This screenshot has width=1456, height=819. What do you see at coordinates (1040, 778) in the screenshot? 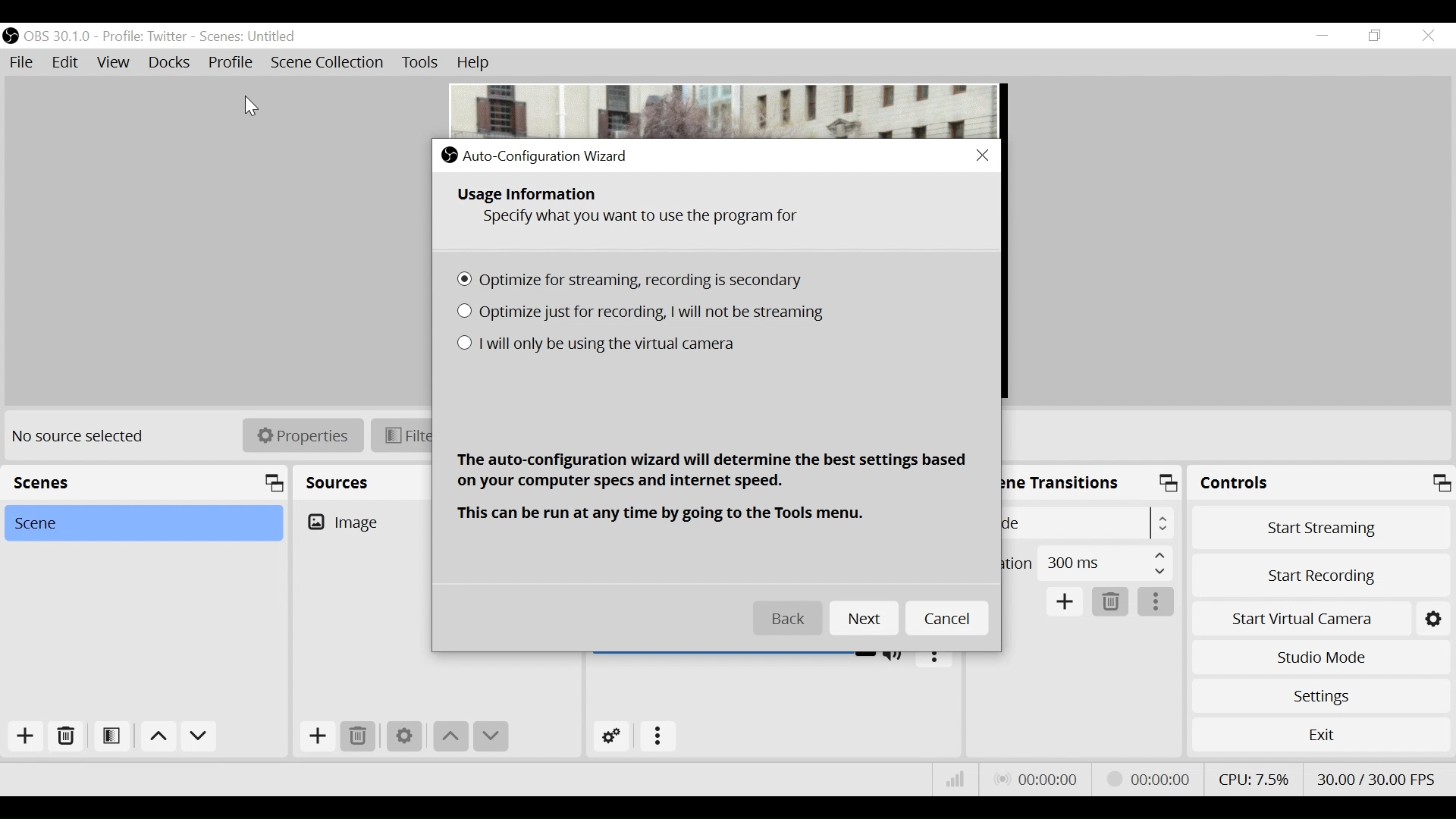
I see `Live Status` at bounding box center [1040, 778].